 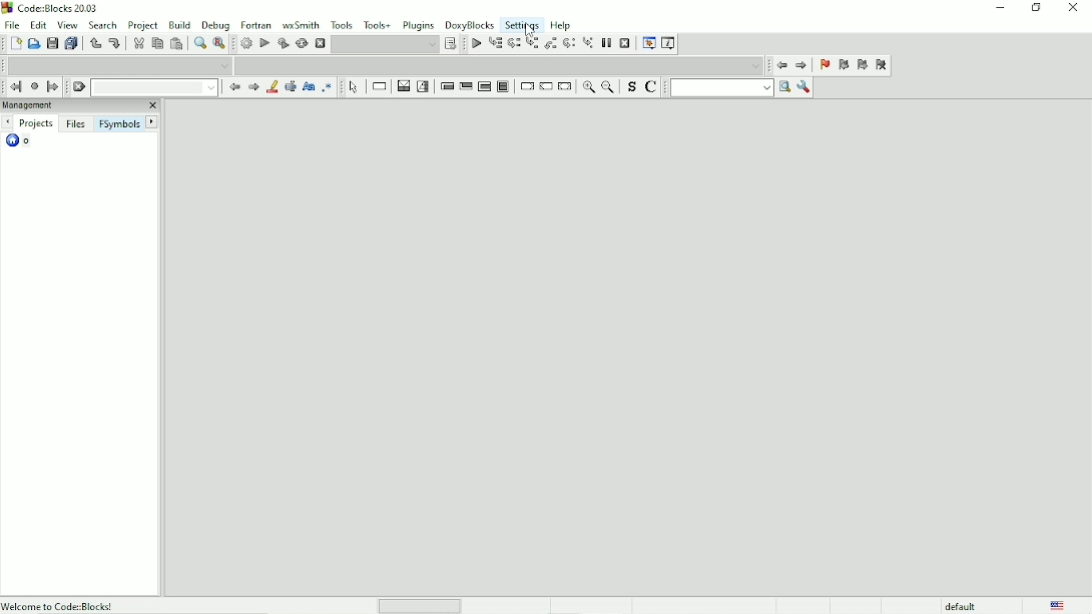 I want to click on Next bookmark, so click(x=861, y=65).